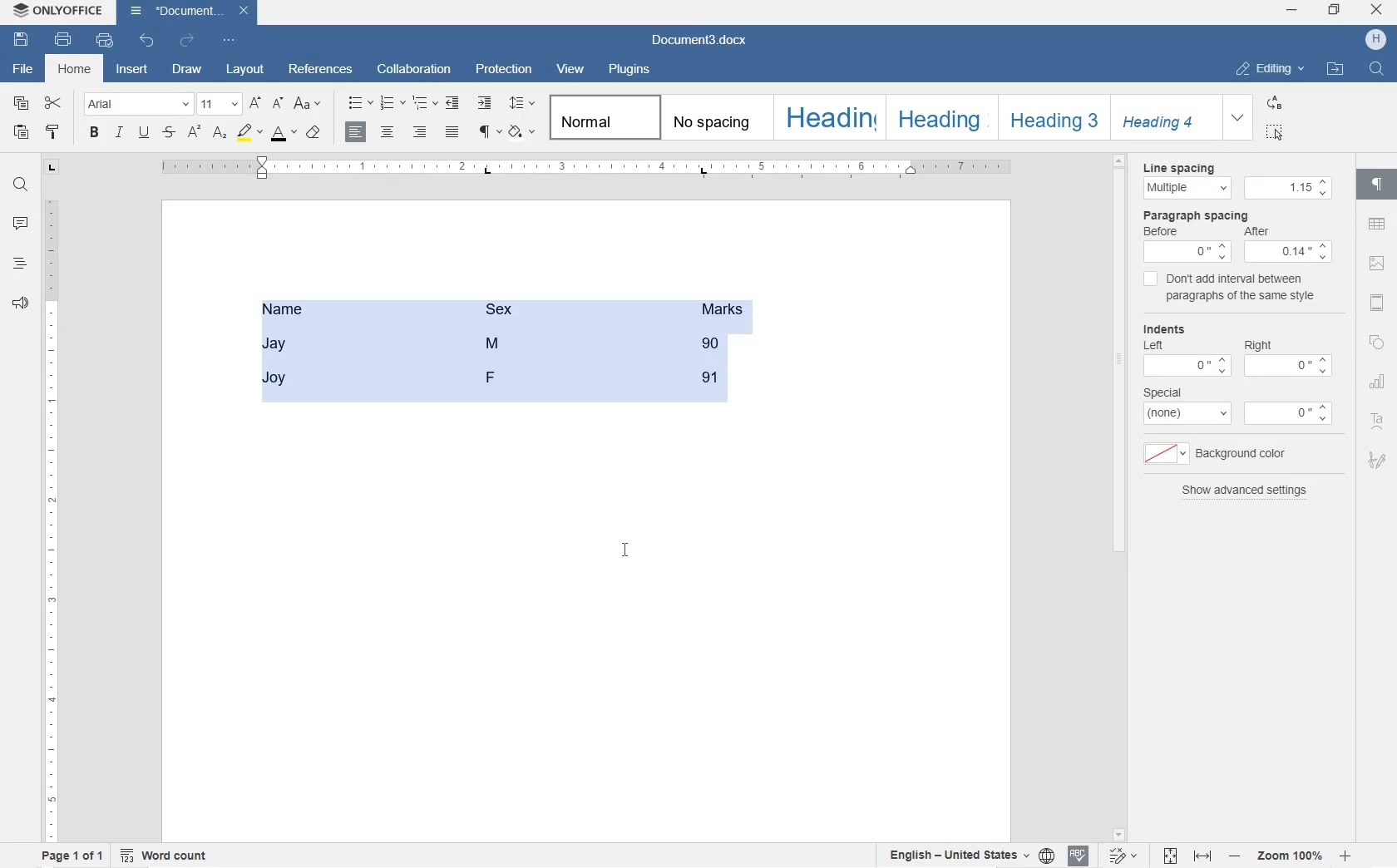 Image resolution: width=1397 pixels, height=868 pixels. Describe the element at coordinates (713, 117) in the screenshot. I see `NO SPACING` at that location.